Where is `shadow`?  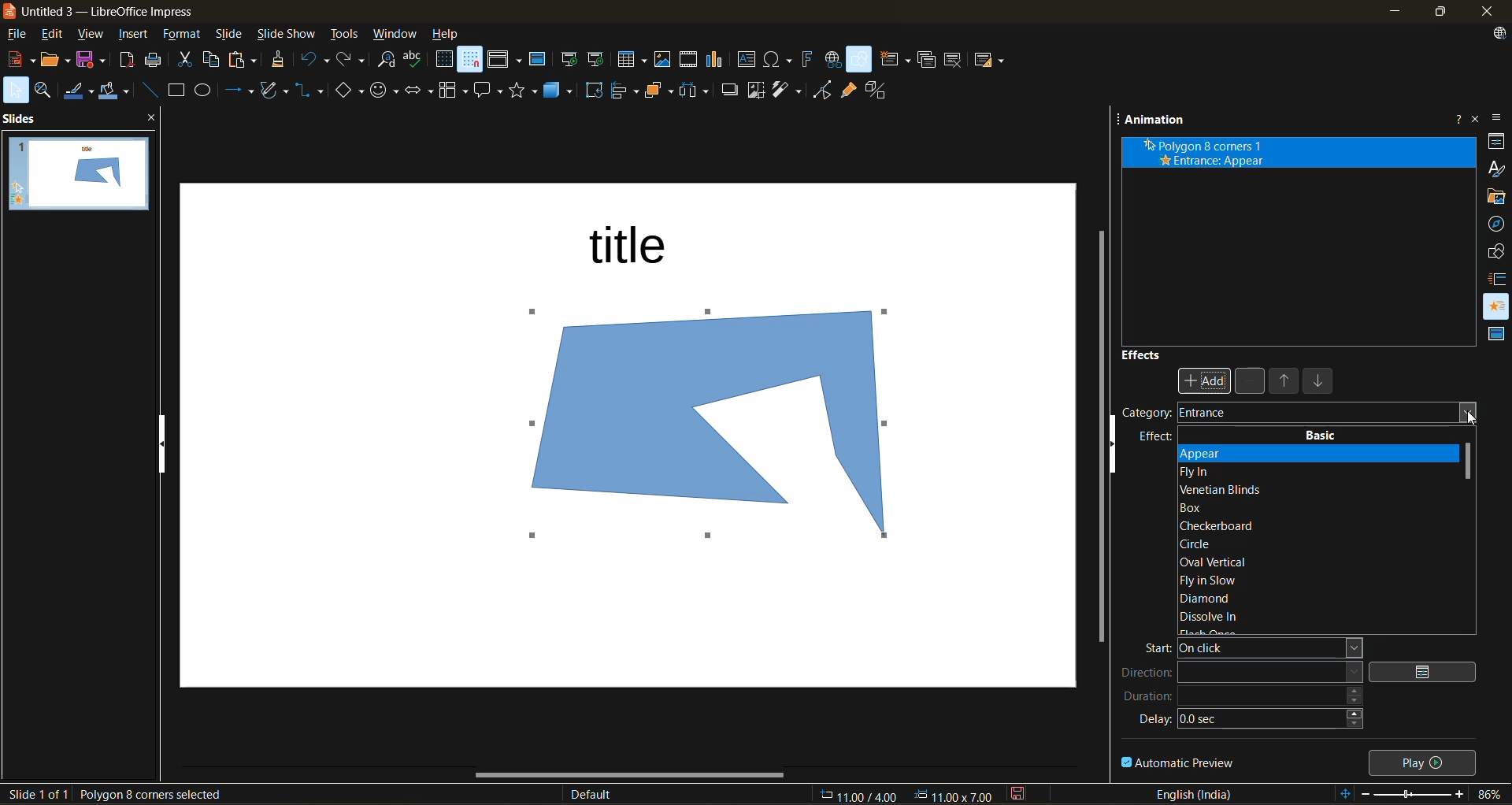 shadow is located at coordinates (731, 90).